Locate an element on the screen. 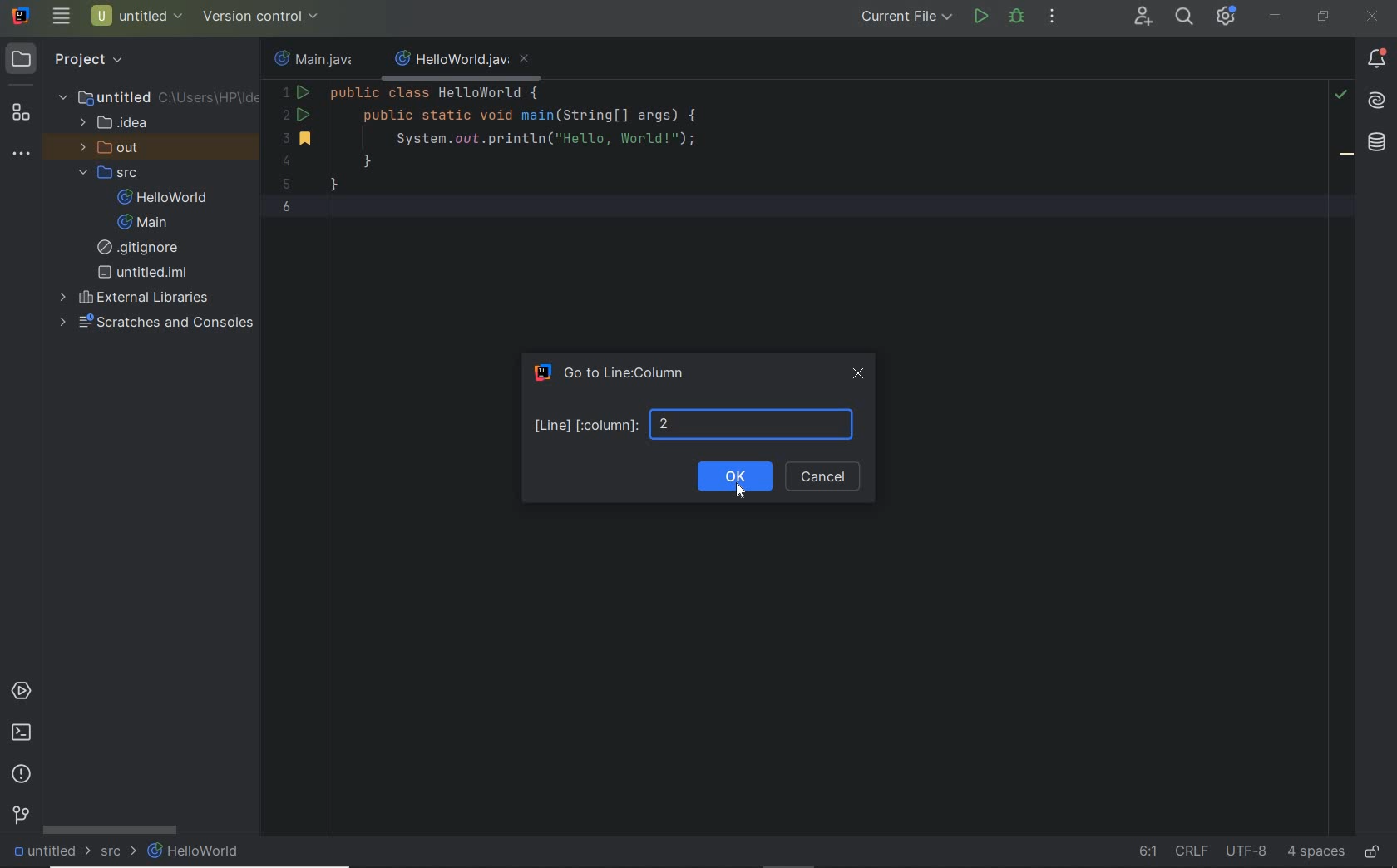 This screenshot has width=1397, height=868. system name is located at coordinates (22, 15).